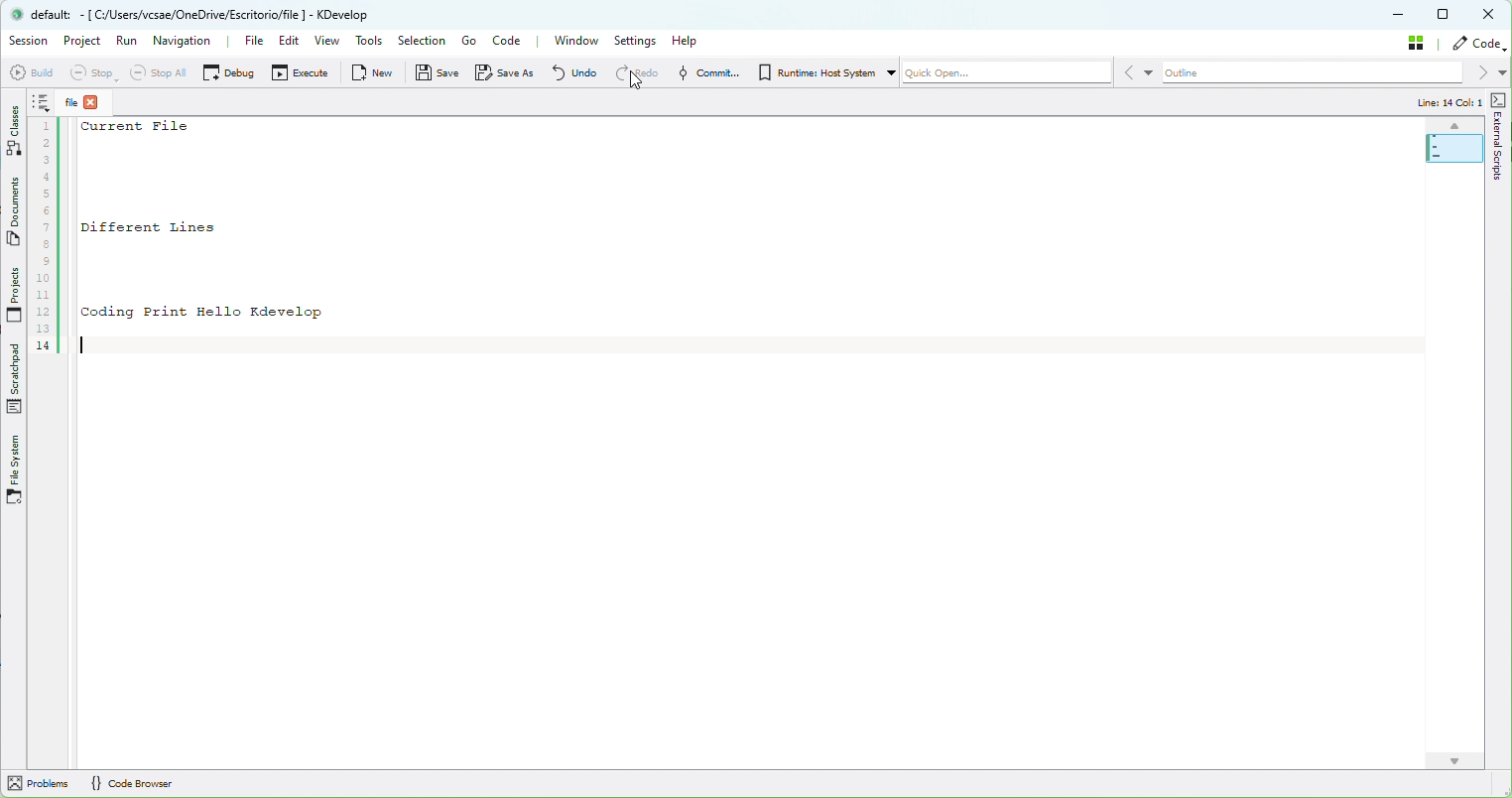 The image size is (1512, 798). Describe the element at coordinates (441, 71) in the screenshot. I see `Save` at that location.